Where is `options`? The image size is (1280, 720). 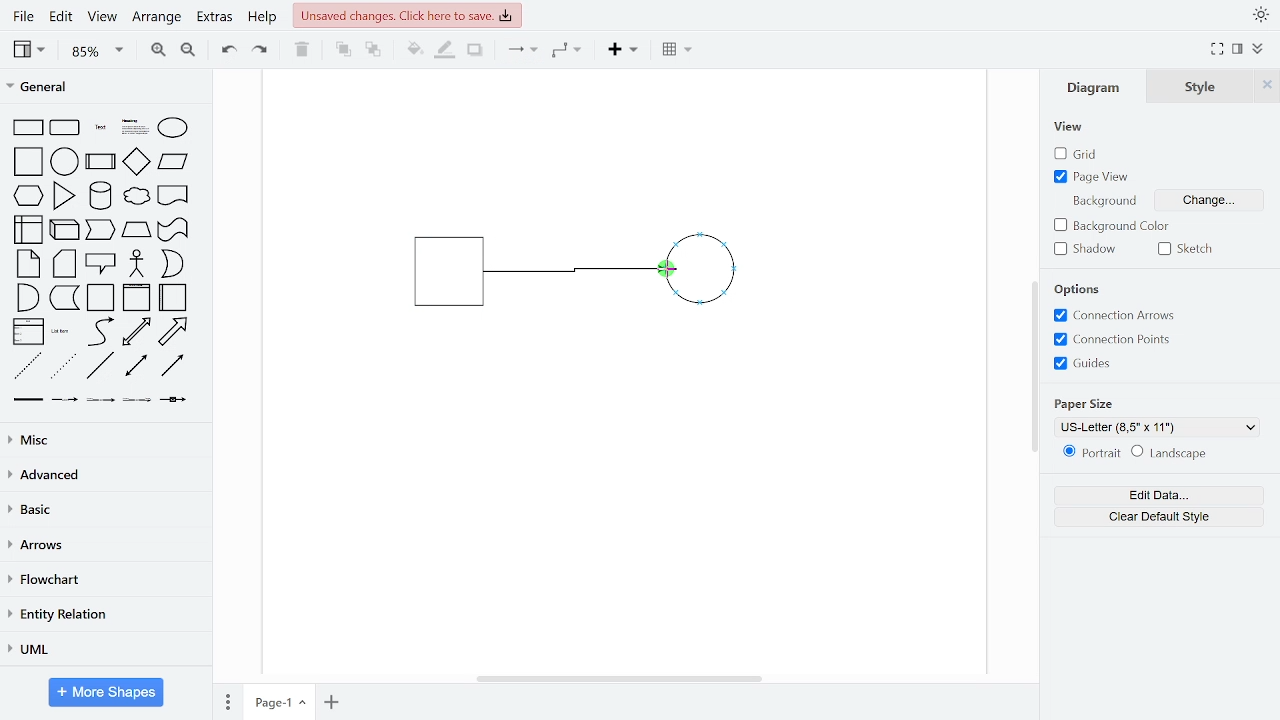
options is located at coordinates (1083, 290).